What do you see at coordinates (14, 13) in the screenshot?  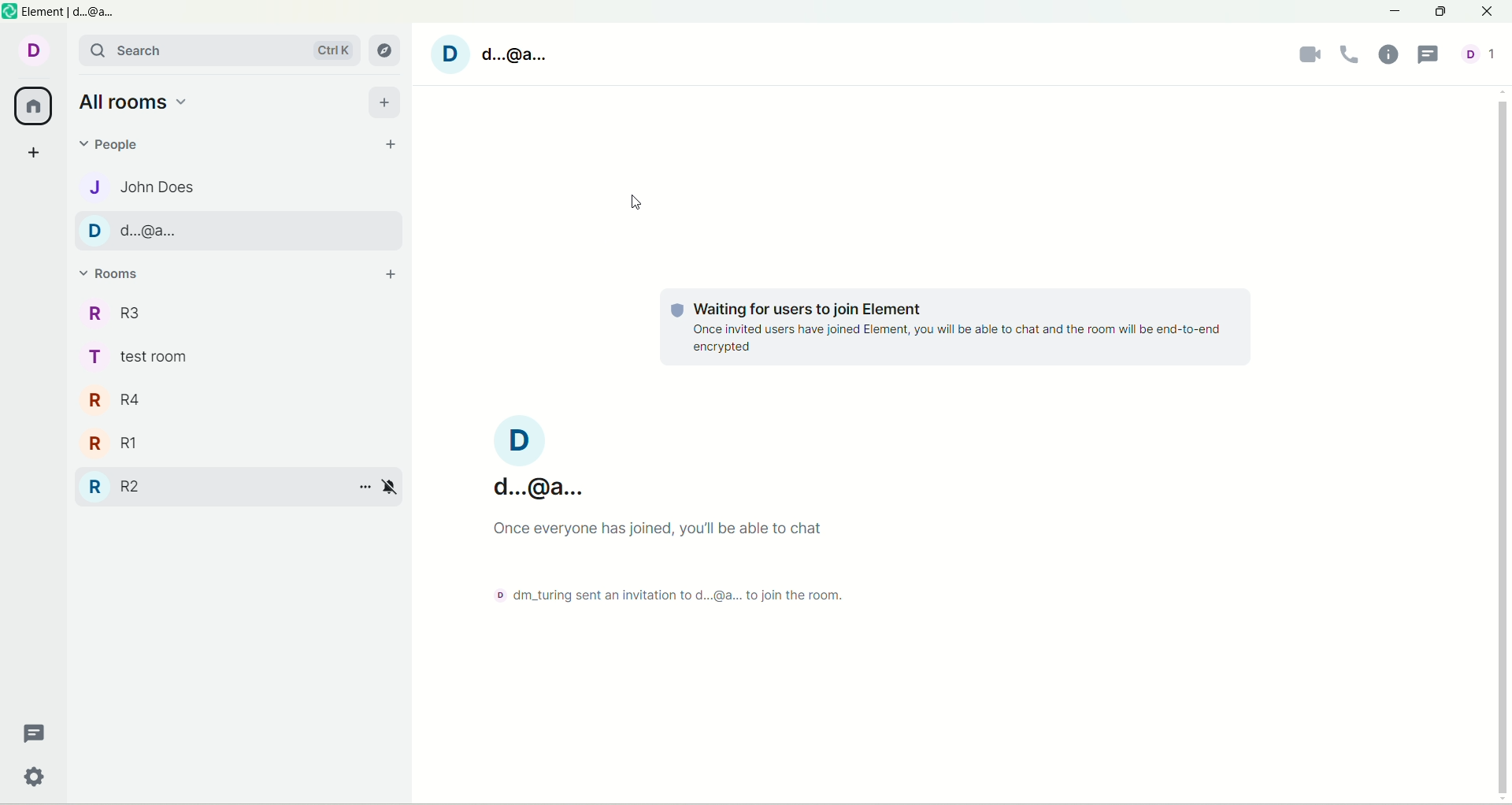 I see `logo` at bounding box center [14, 13].